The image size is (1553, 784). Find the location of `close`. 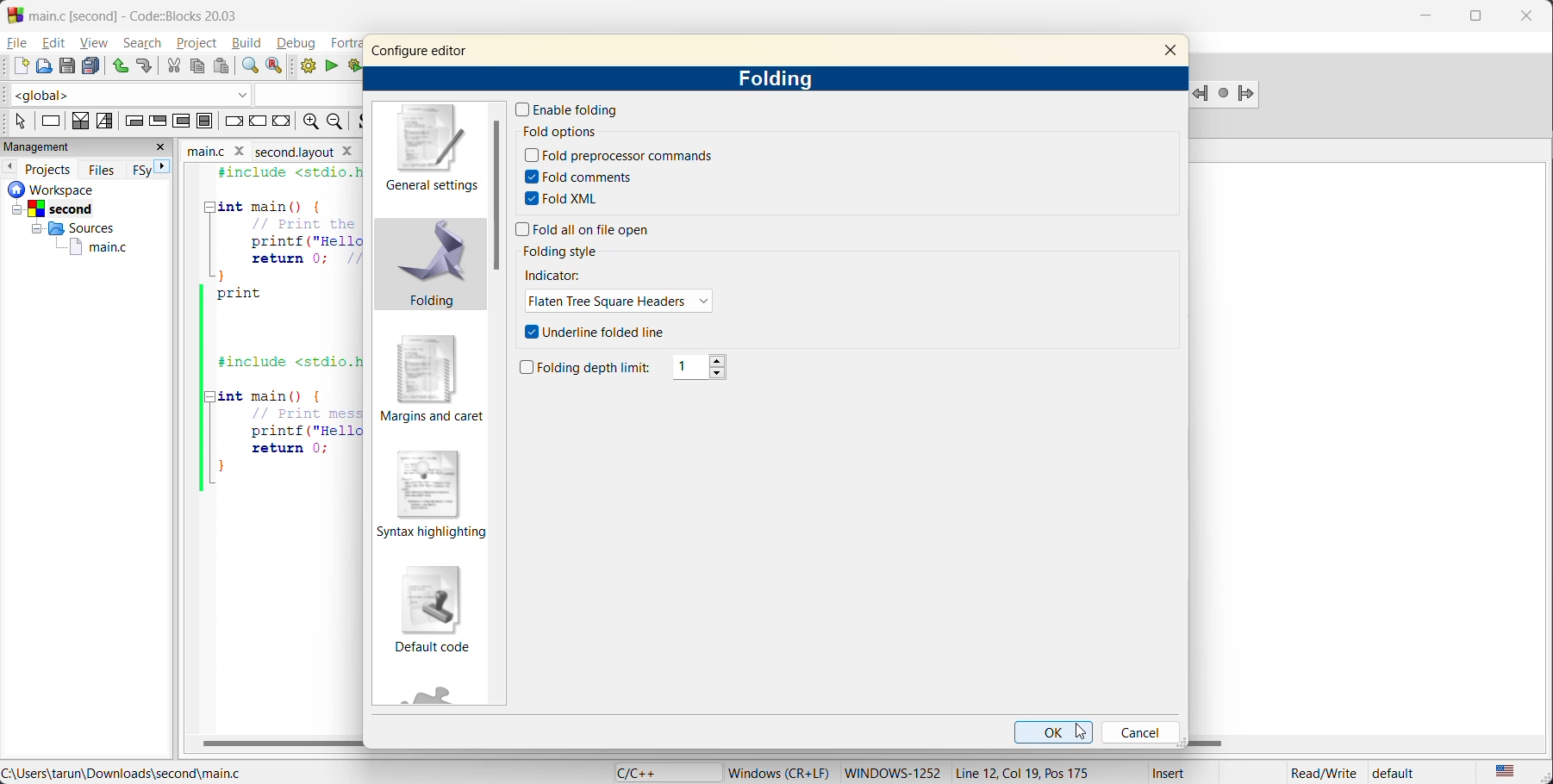

close is located at coordinates (1172, 53).